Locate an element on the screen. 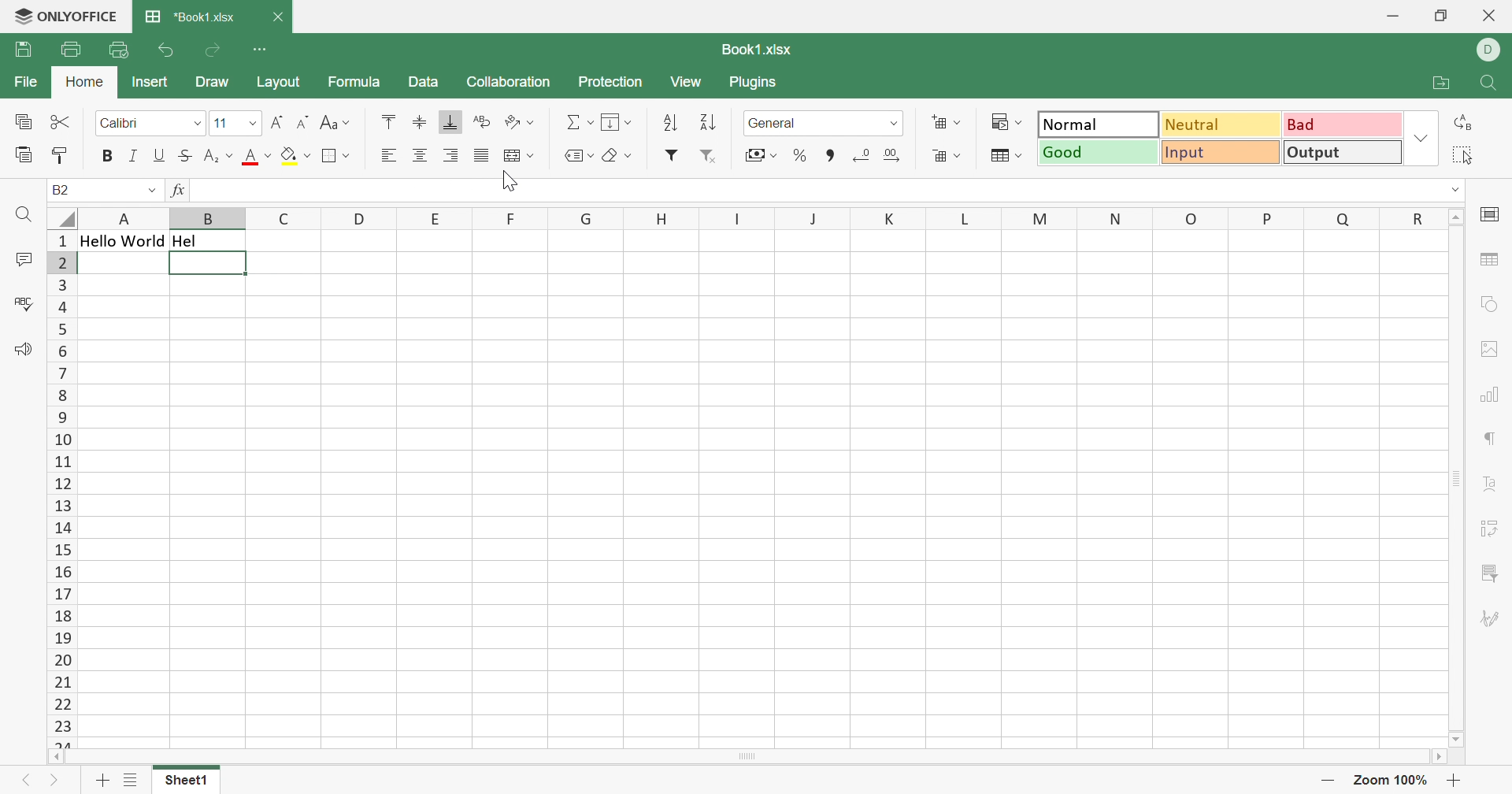  Undo is located at coordinates (165, 52).